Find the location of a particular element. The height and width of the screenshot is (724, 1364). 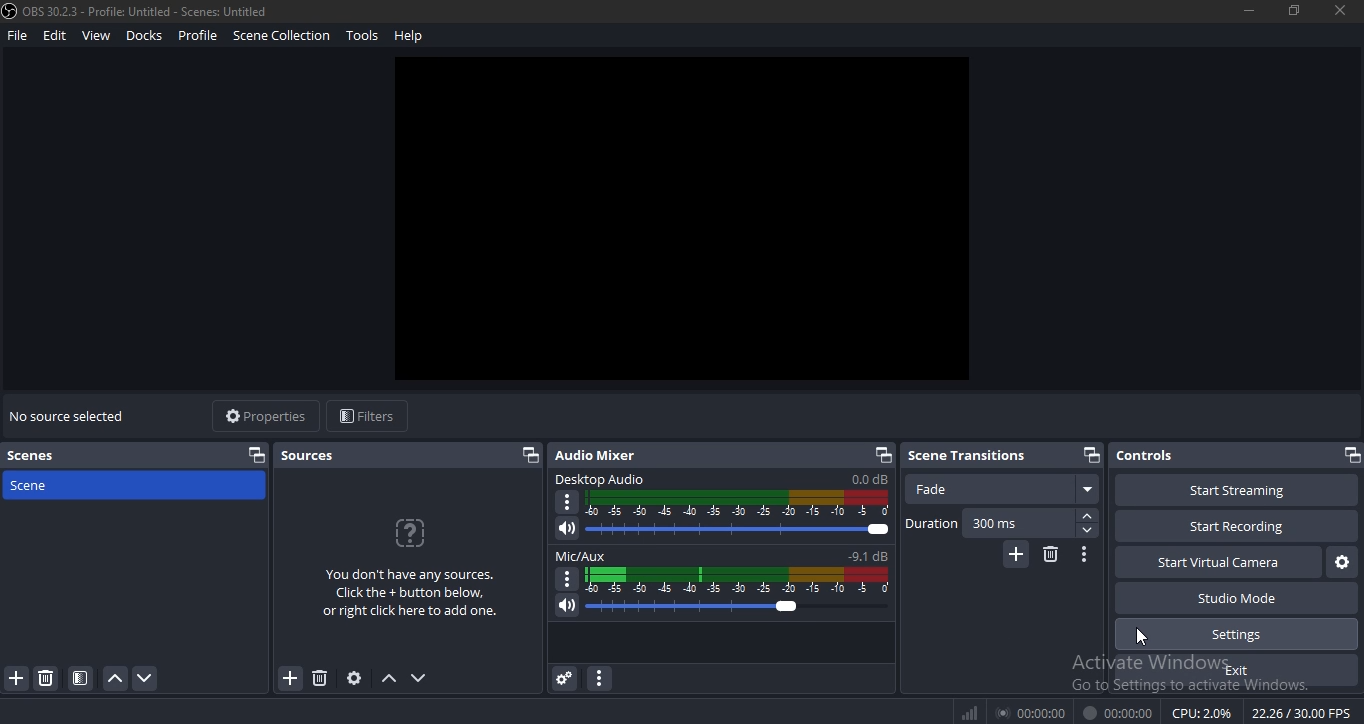

docks is located at coordinates (145, 34).